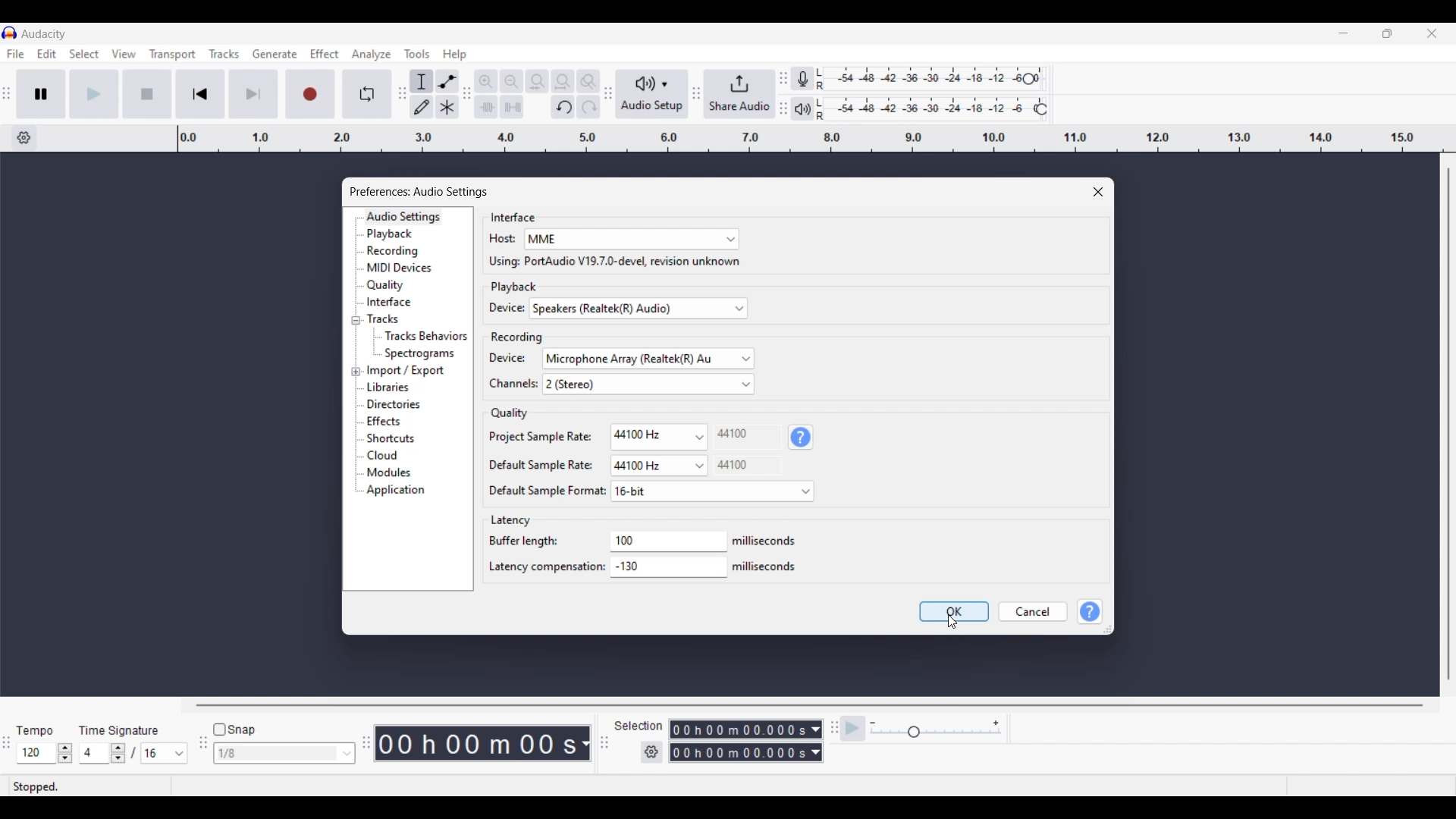 This screenshot has width=1456, height=819. What do you see at coordinates (498, 309) in the screenshot?
I see `Device:` at bounding box center [498, 309].